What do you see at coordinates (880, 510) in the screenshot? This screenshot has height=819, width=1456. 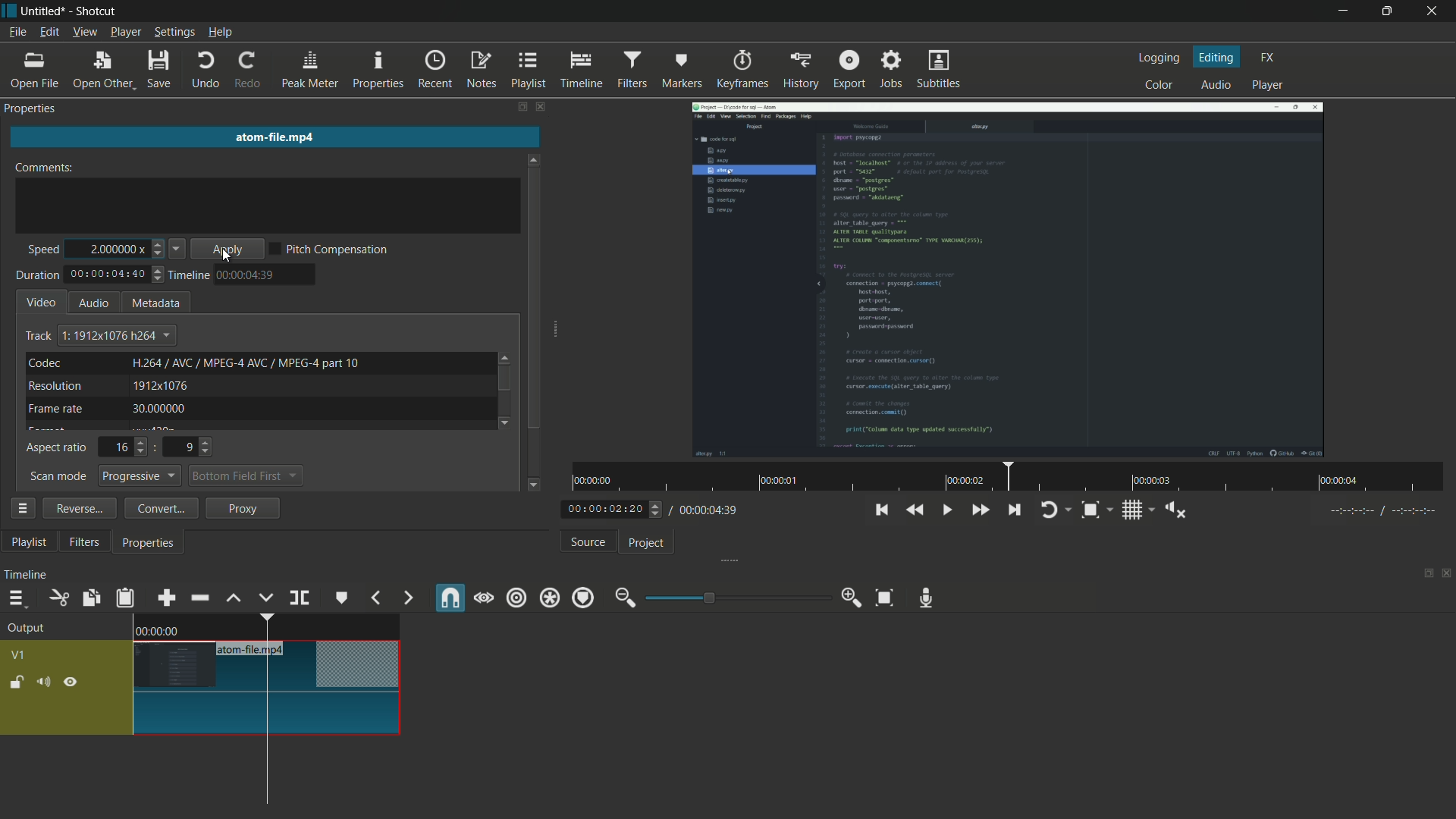 I see `skip to the previous point` at bounding box center [880, 510].